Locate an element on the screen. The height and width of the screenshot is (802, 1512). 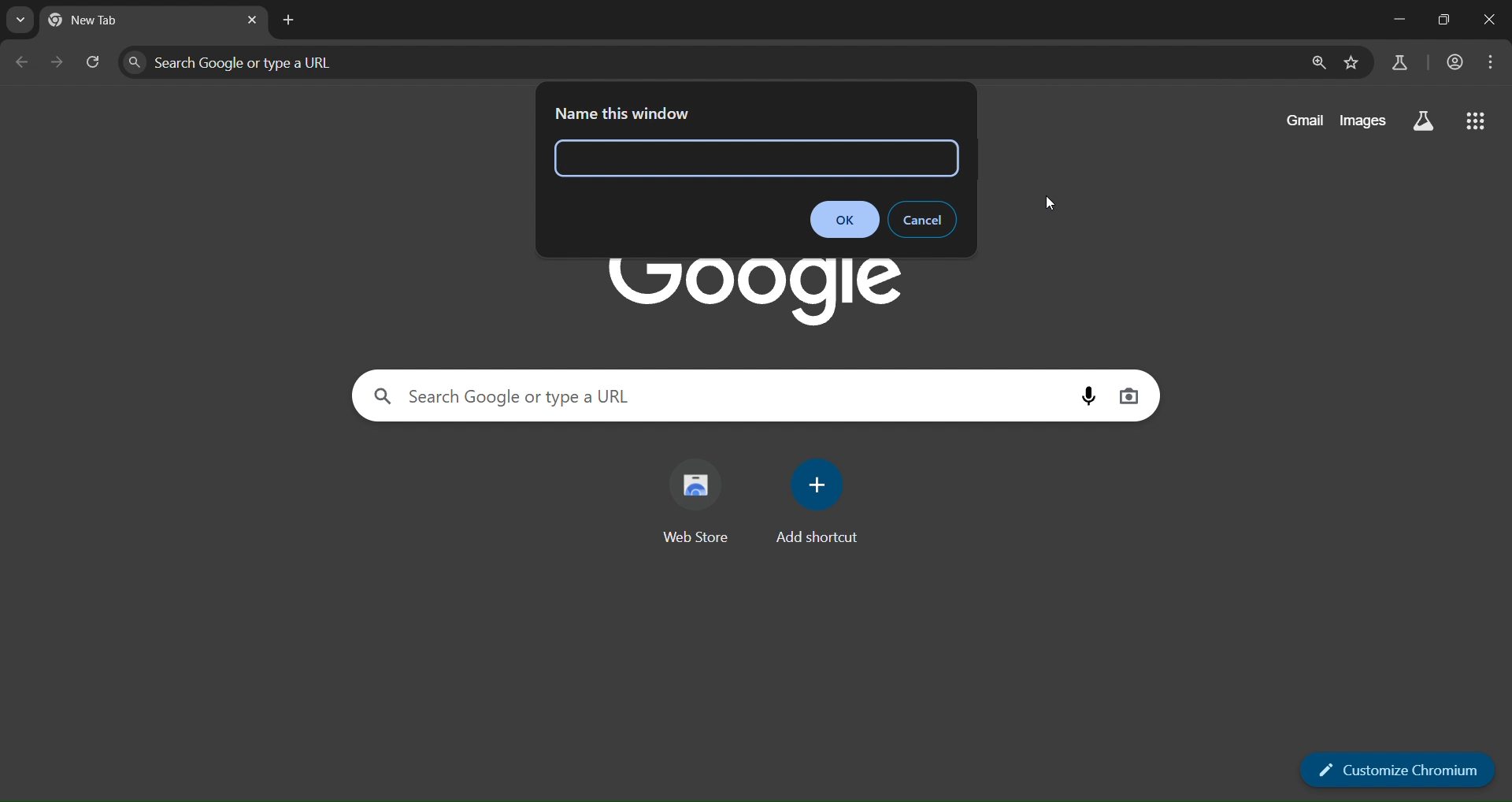
zoom  is located at coordinates (1318, 63).